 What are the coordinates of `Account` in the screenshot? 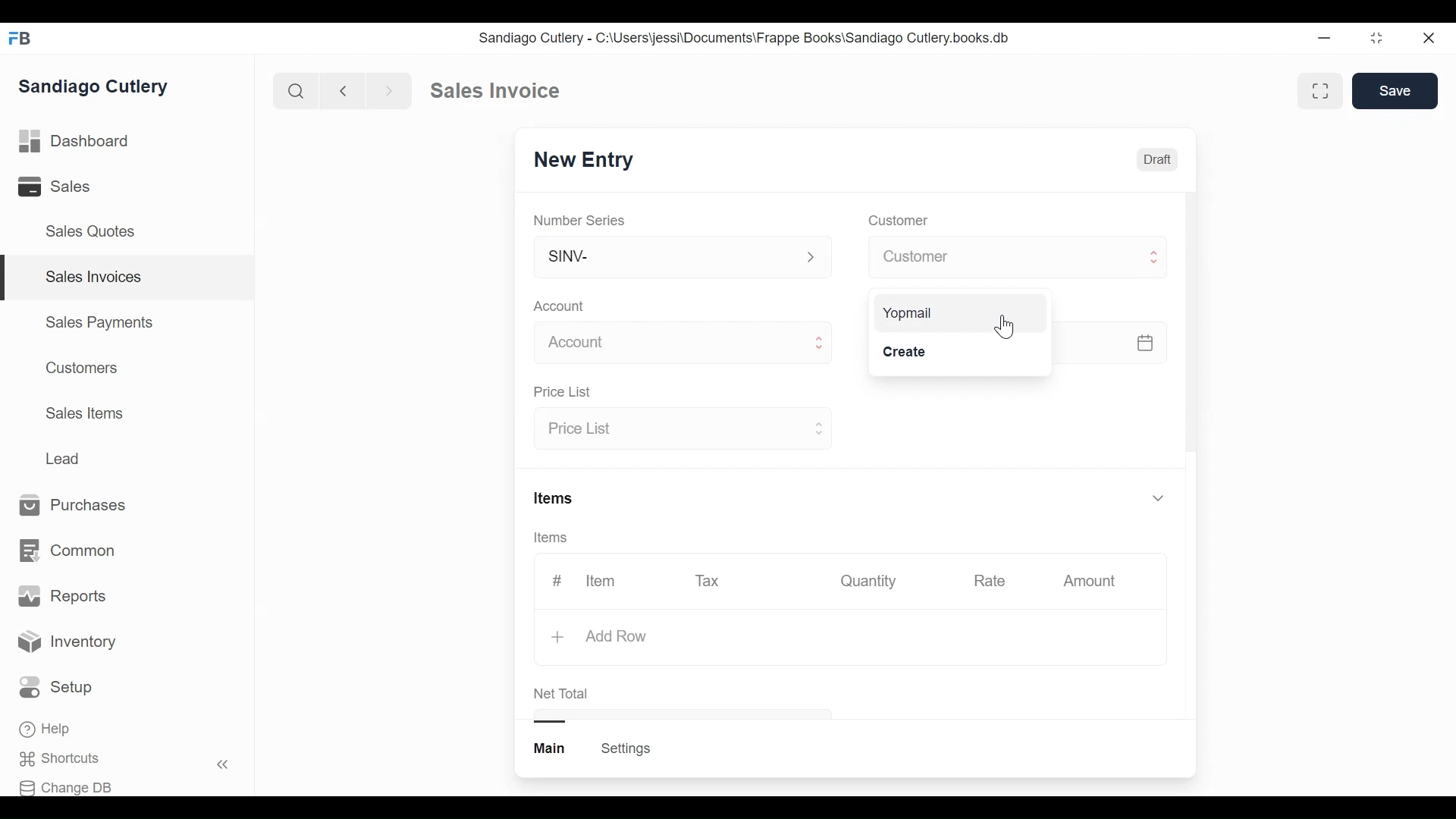 It's located at (560, 306).